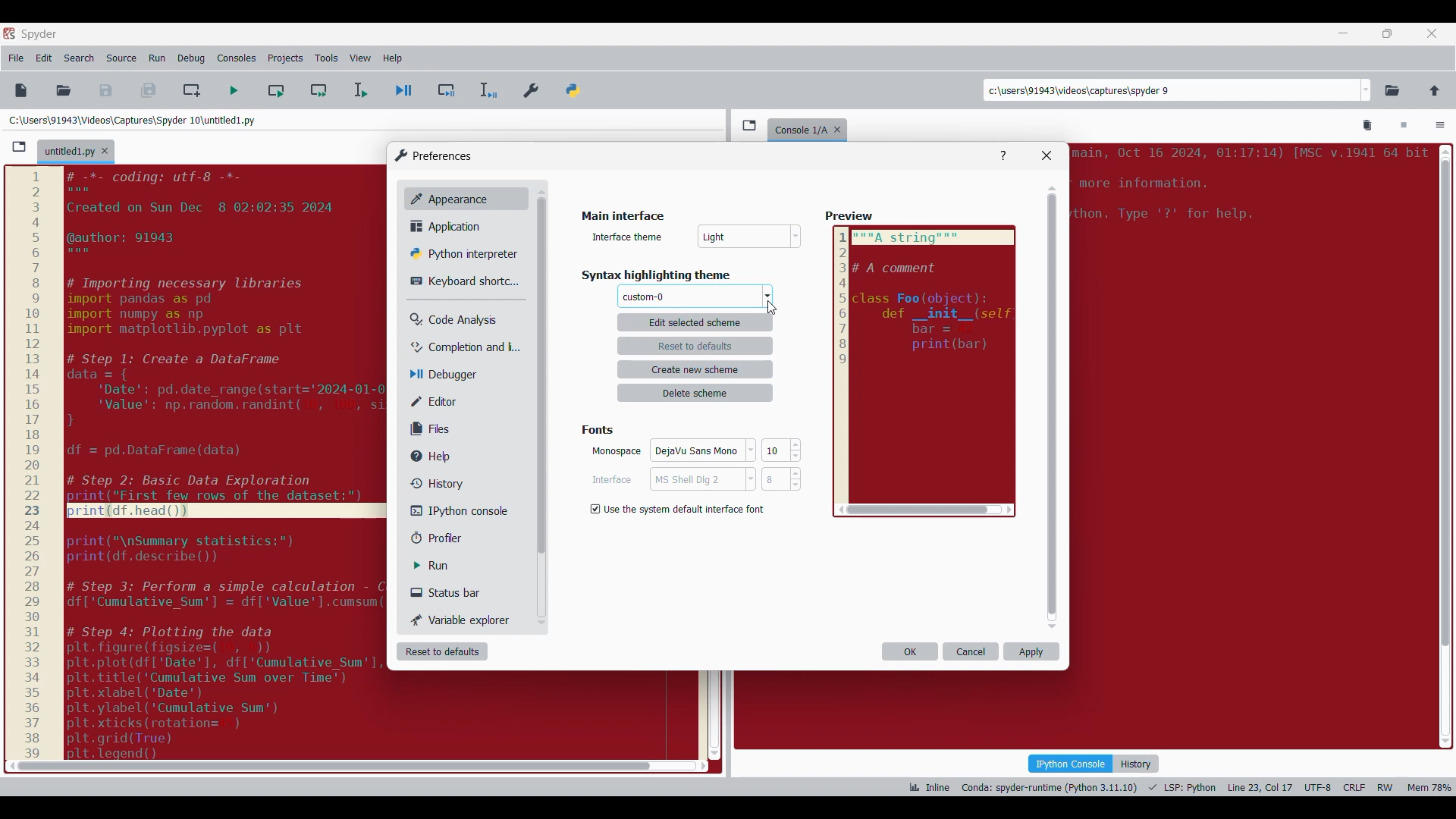 The image size is (1456, 819). What do you see at coordinates (1440, 127) in the screenshot?
I see `Options` at bounding box center [1440, 127].